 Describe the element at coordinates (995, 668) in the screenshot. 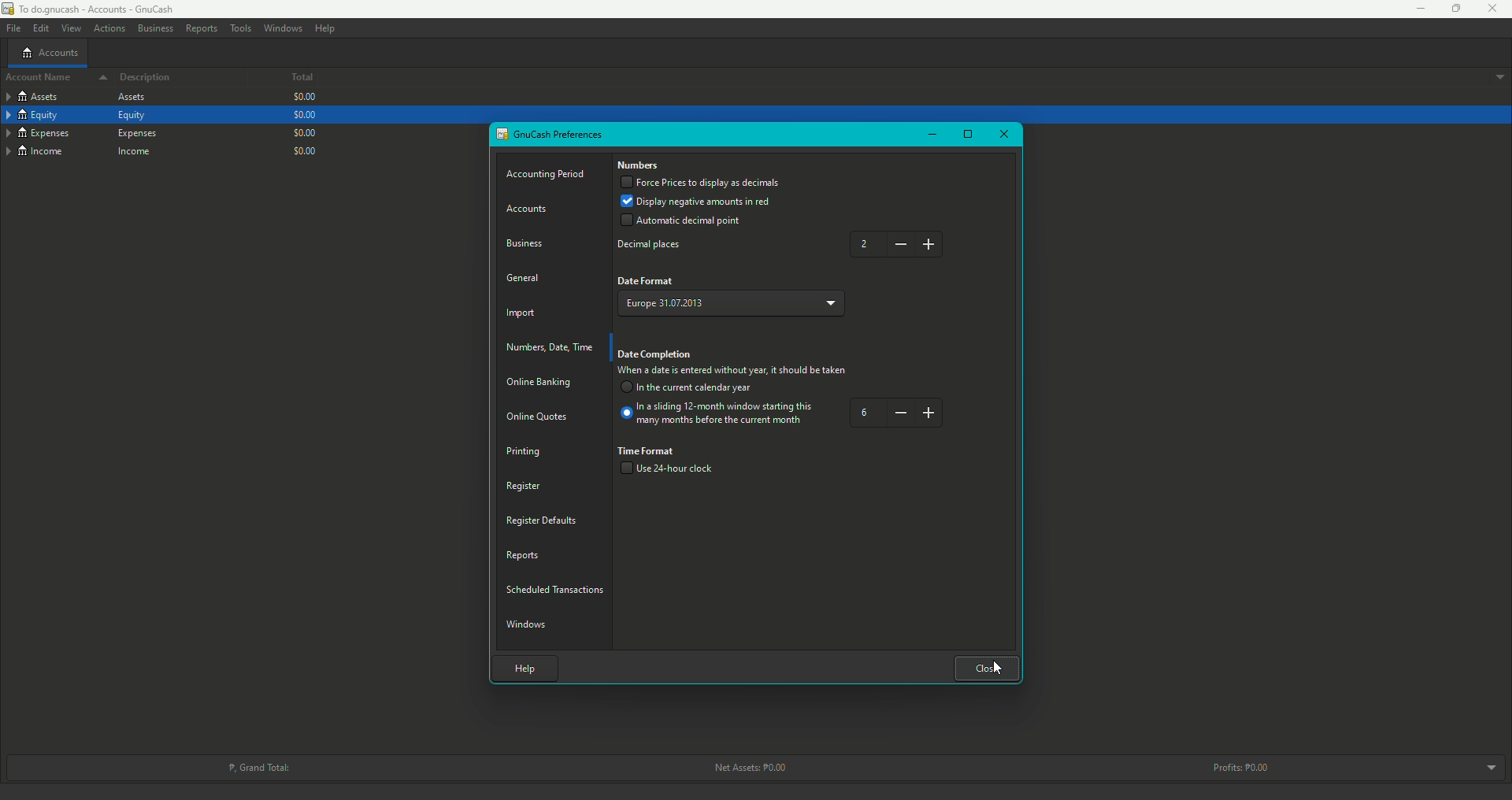

I see `Close` at that location.